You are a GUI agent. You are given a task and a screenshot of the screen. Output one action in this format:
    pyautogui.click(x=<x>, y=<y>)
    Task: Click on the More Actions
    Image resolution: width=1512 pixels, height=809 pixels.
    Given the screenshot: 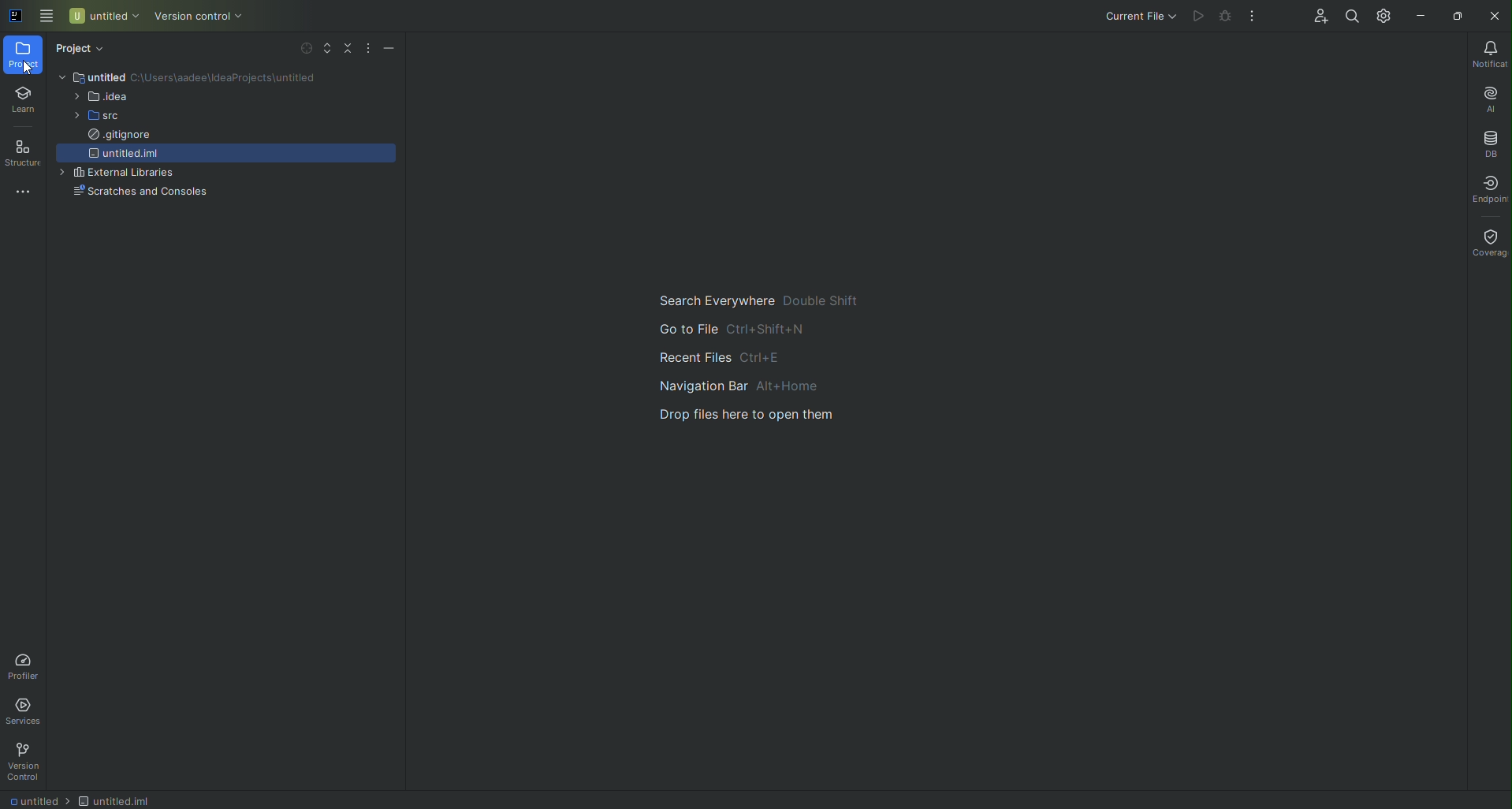 What is the action you would take?
    pyautogui.click(x=1256, y=13)
    